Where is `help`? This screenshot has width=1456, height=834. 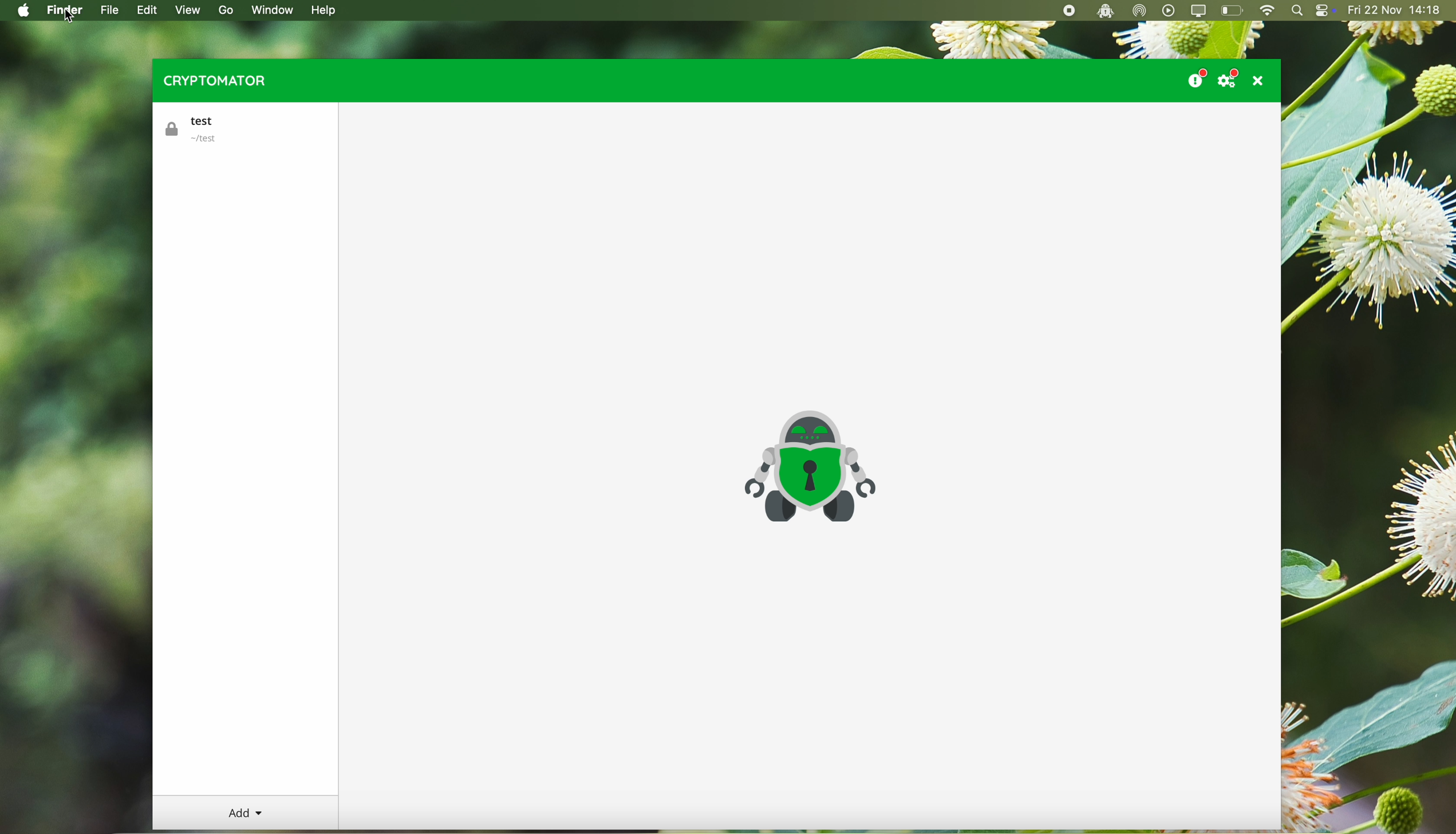
help is located at coordinates (326, 11).